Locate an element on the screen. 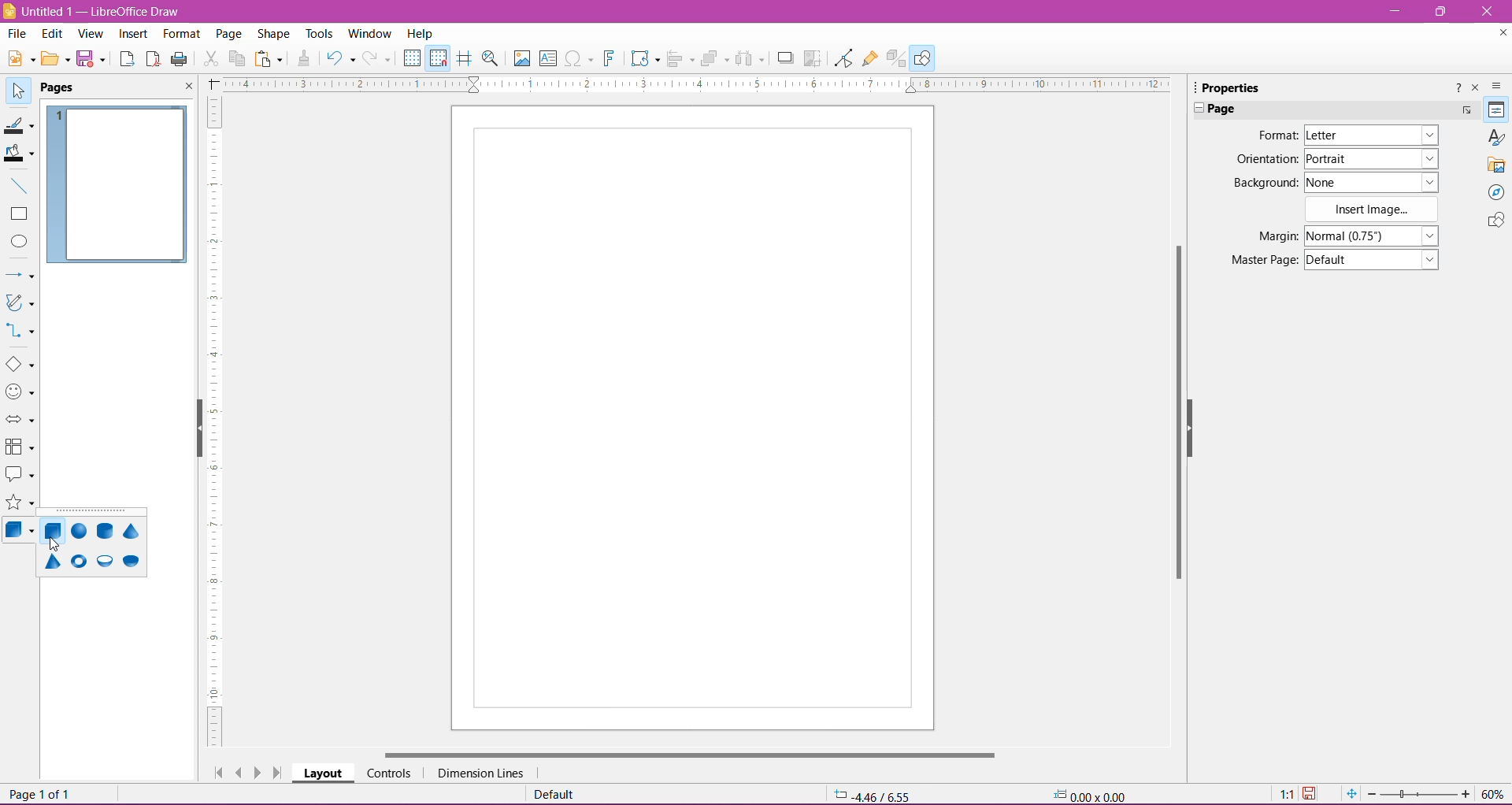 This screenshot has height=805, width=1512. Help about this sidebar deck is located at coordinates (1456, 91).